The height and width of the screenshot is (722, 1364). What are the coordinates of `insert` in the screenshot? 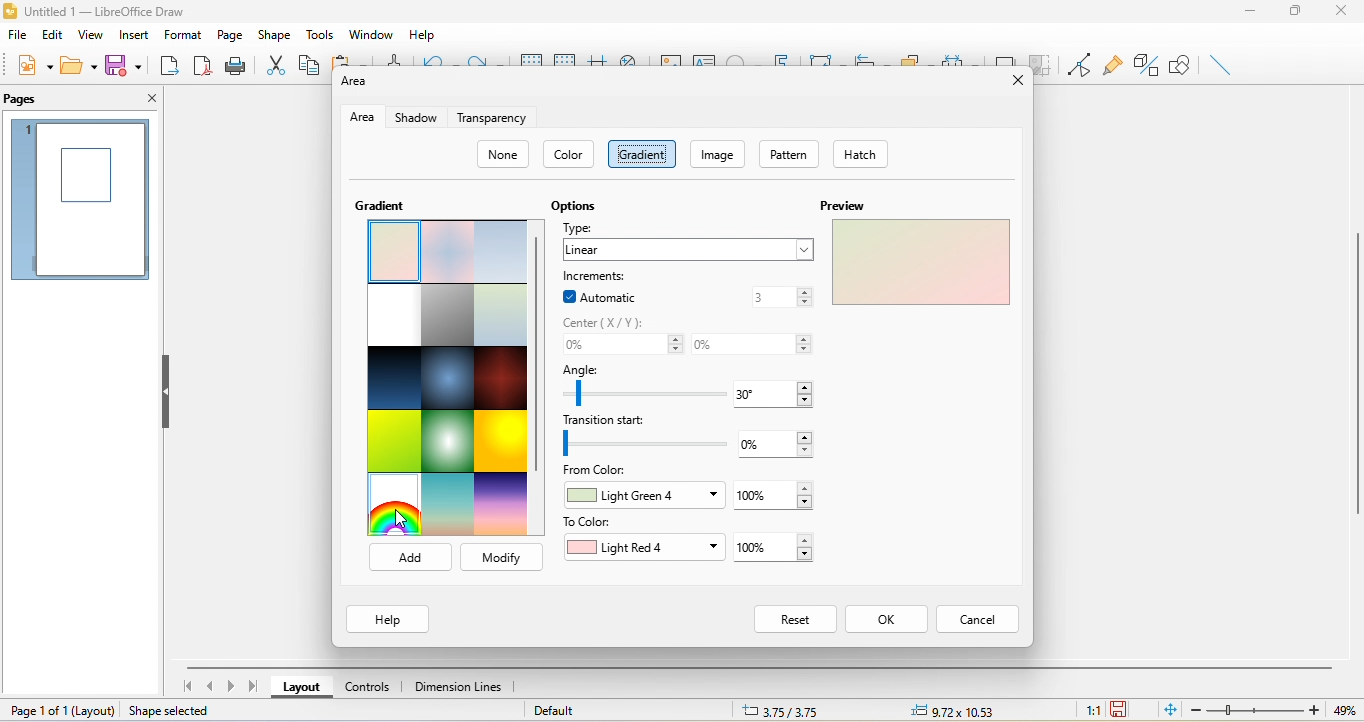 It's located at (134, 37).